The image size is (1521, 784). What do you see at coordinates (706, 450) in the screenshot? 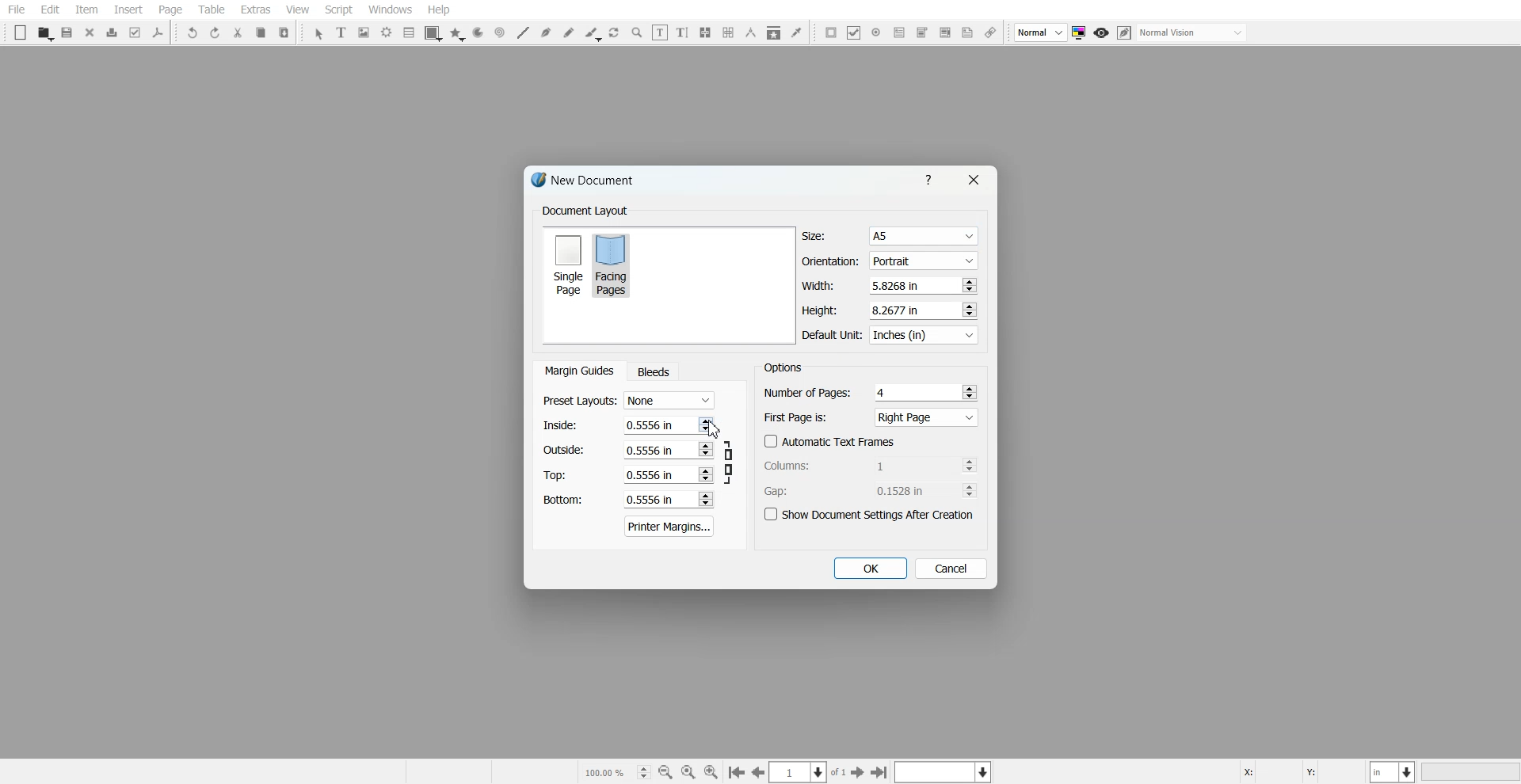
I see `Increase and decrease No. ` at bounding box center [706, 450].